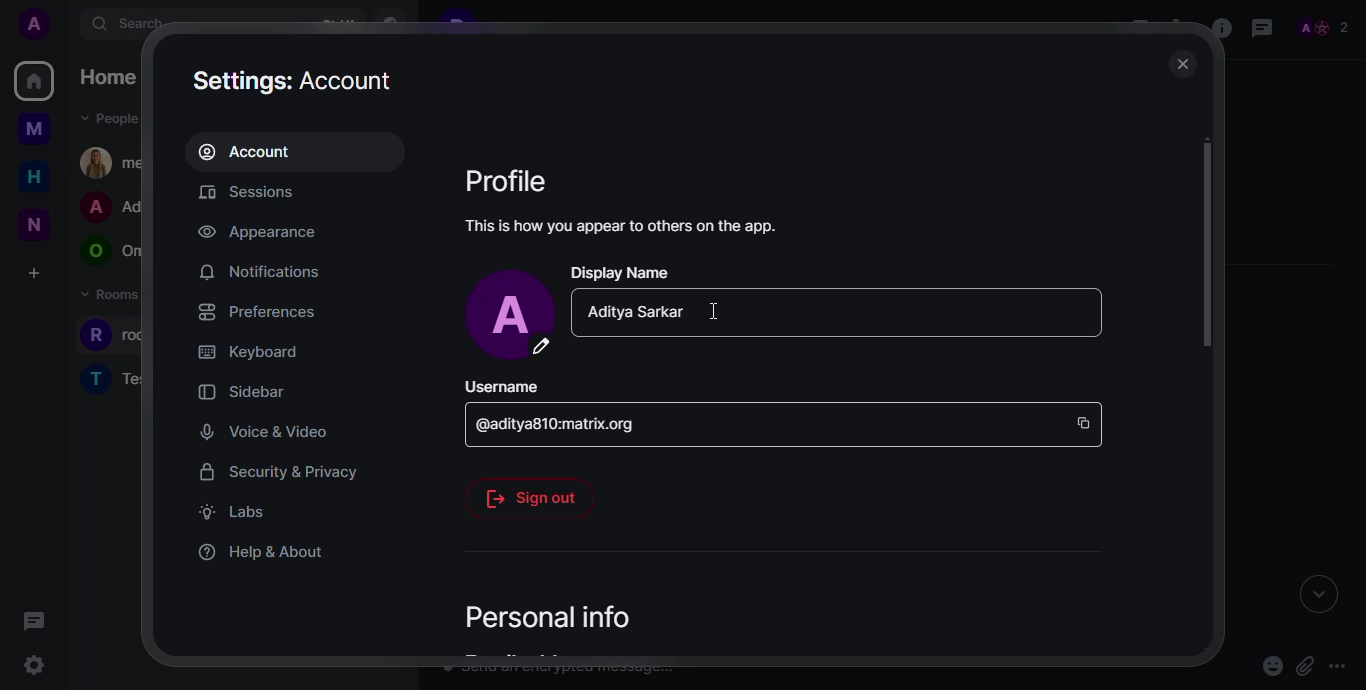  What do you see at coordinates (540, 617) in the screenshot?
I see `personal info` at bounding box center [540, 617].